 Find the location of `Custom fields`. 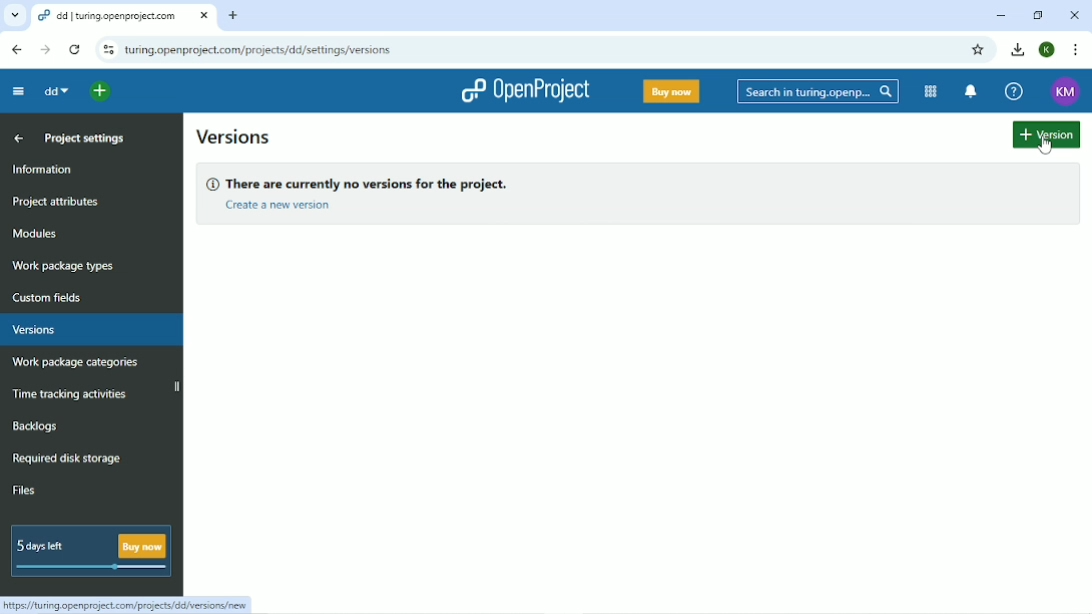

Custom fields is located at coordinates (53, 299).